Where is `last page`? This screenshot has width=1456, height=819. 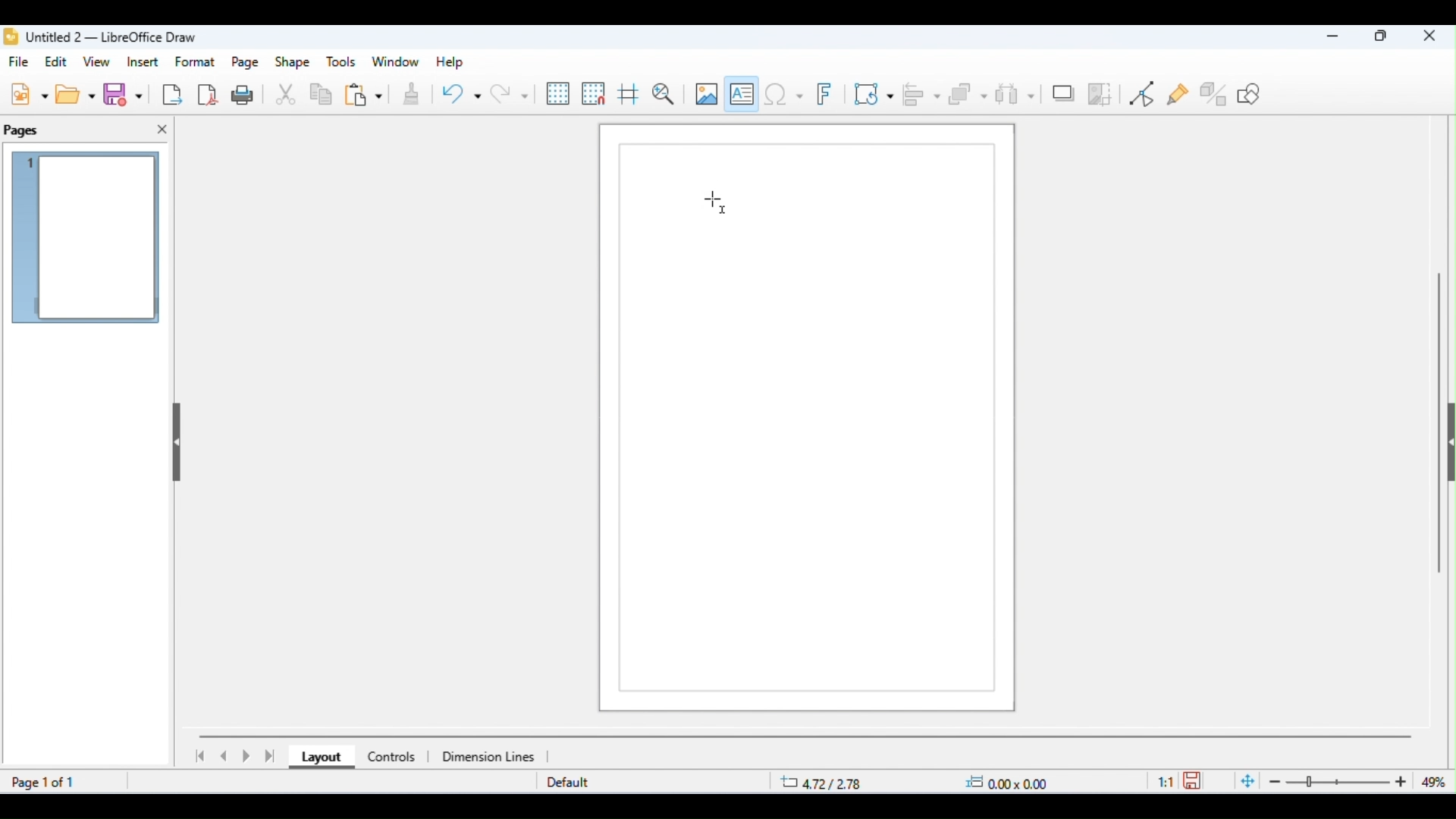 last page is located at coordinates (271, 756).